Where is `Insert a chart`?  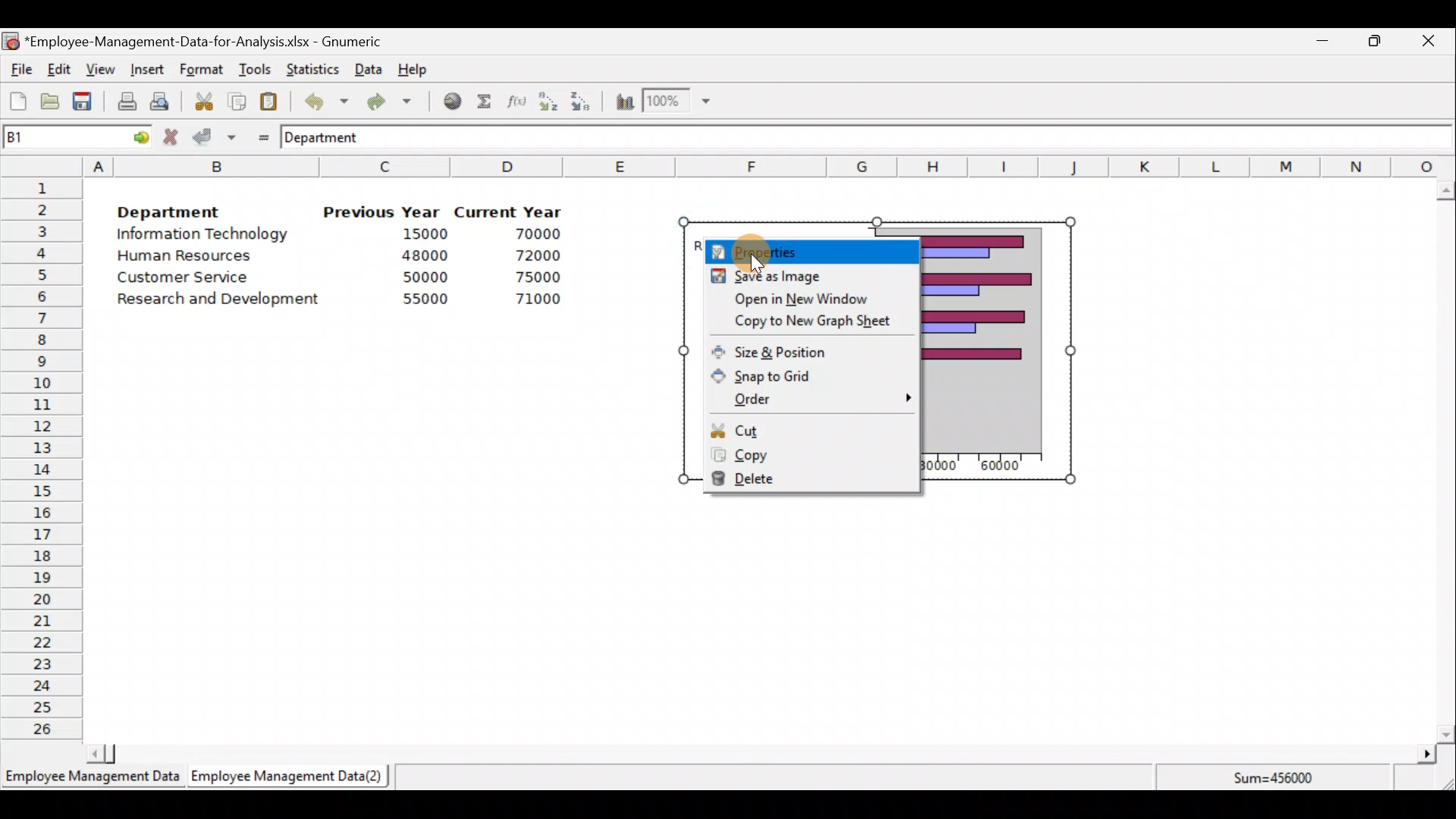
Insert a chart is located at coordinates (621, 103).